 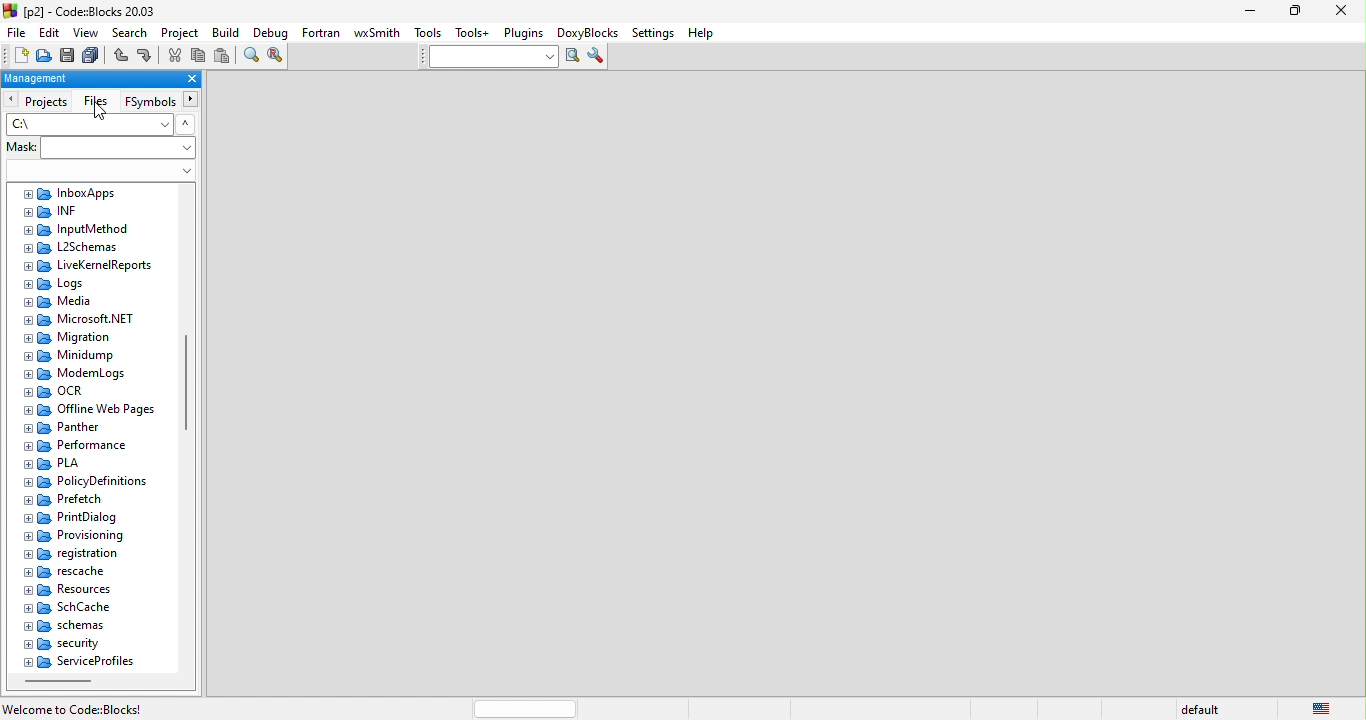 I want to click on tools++, so click(x=471, y=32).